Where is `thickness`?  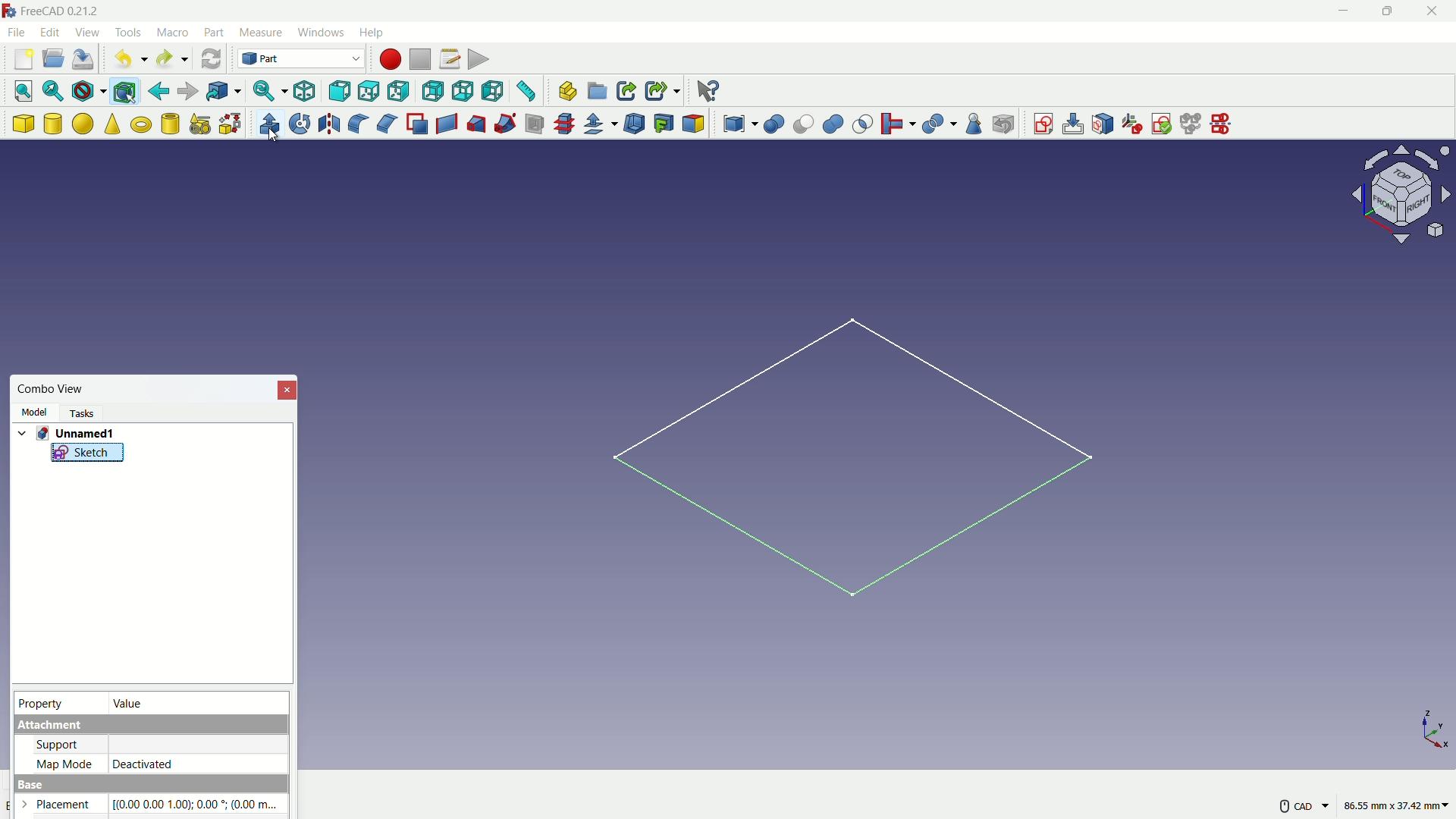 thickness is located at coordinates (636, 124).